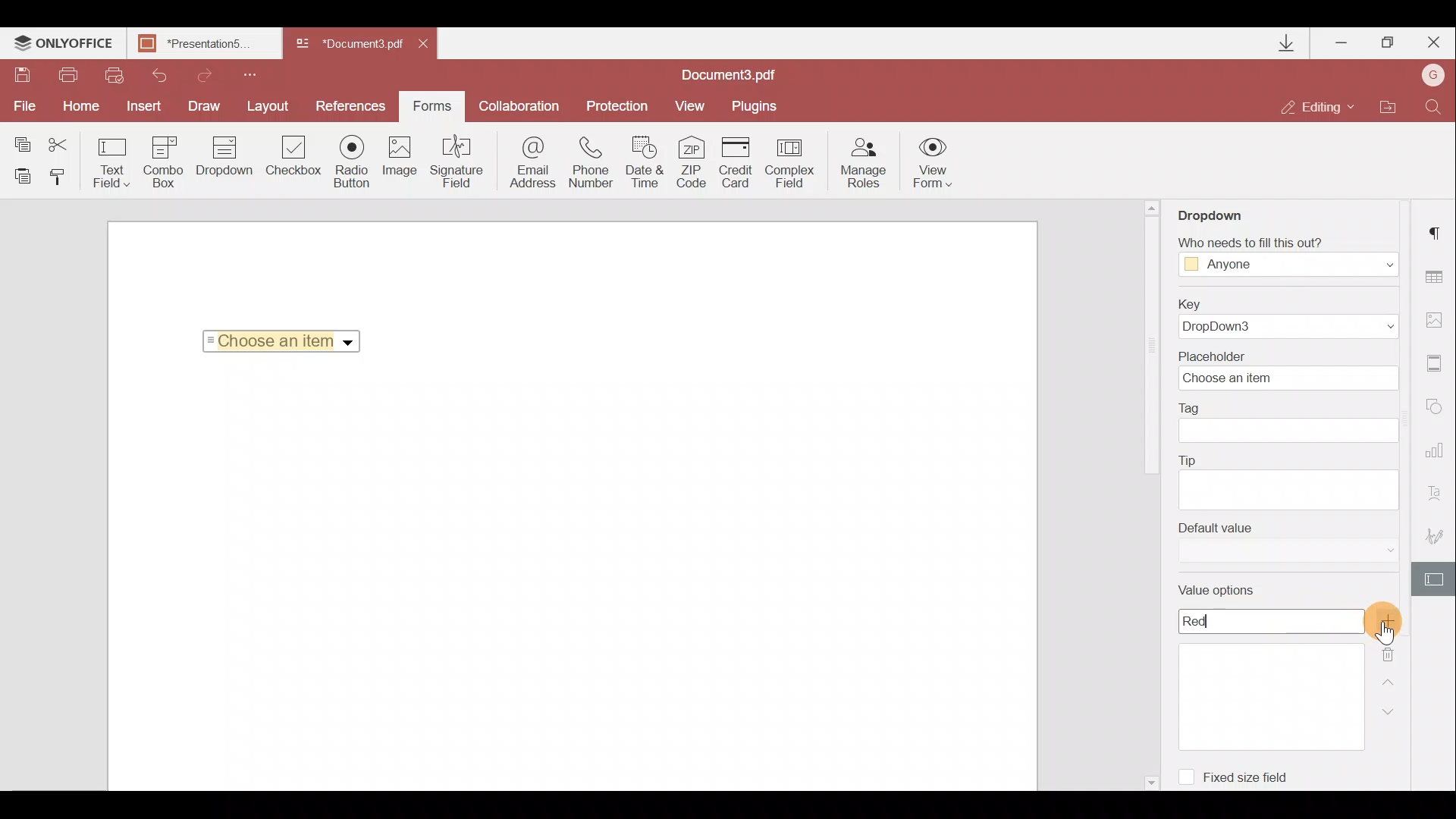 Image resolution: width=1456 pixels, height=819 pixels. I want to click on Table settings, so click(1441, 277).